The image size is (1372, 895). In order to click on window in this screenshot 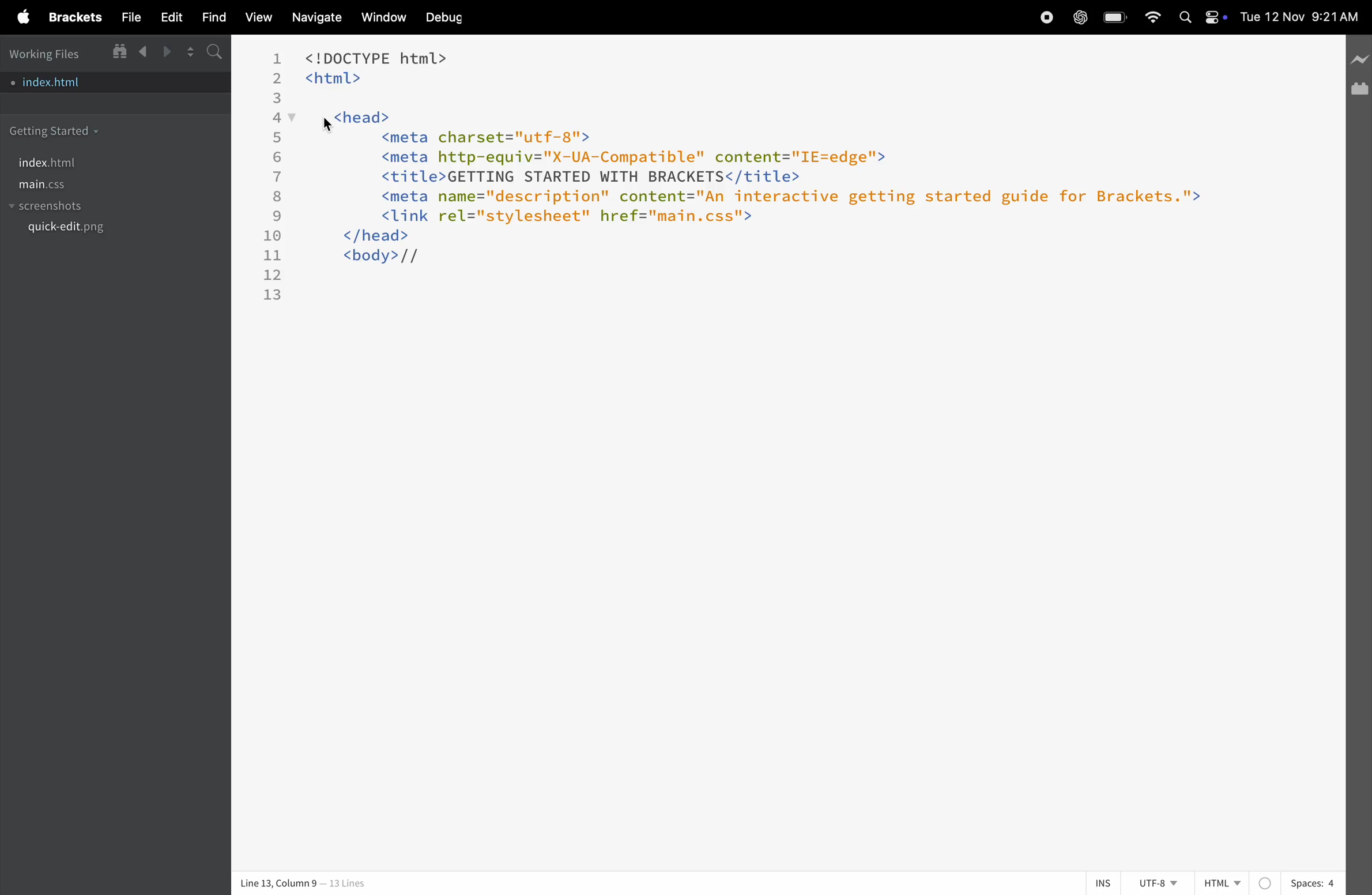, I will do `click(382, 17)`.